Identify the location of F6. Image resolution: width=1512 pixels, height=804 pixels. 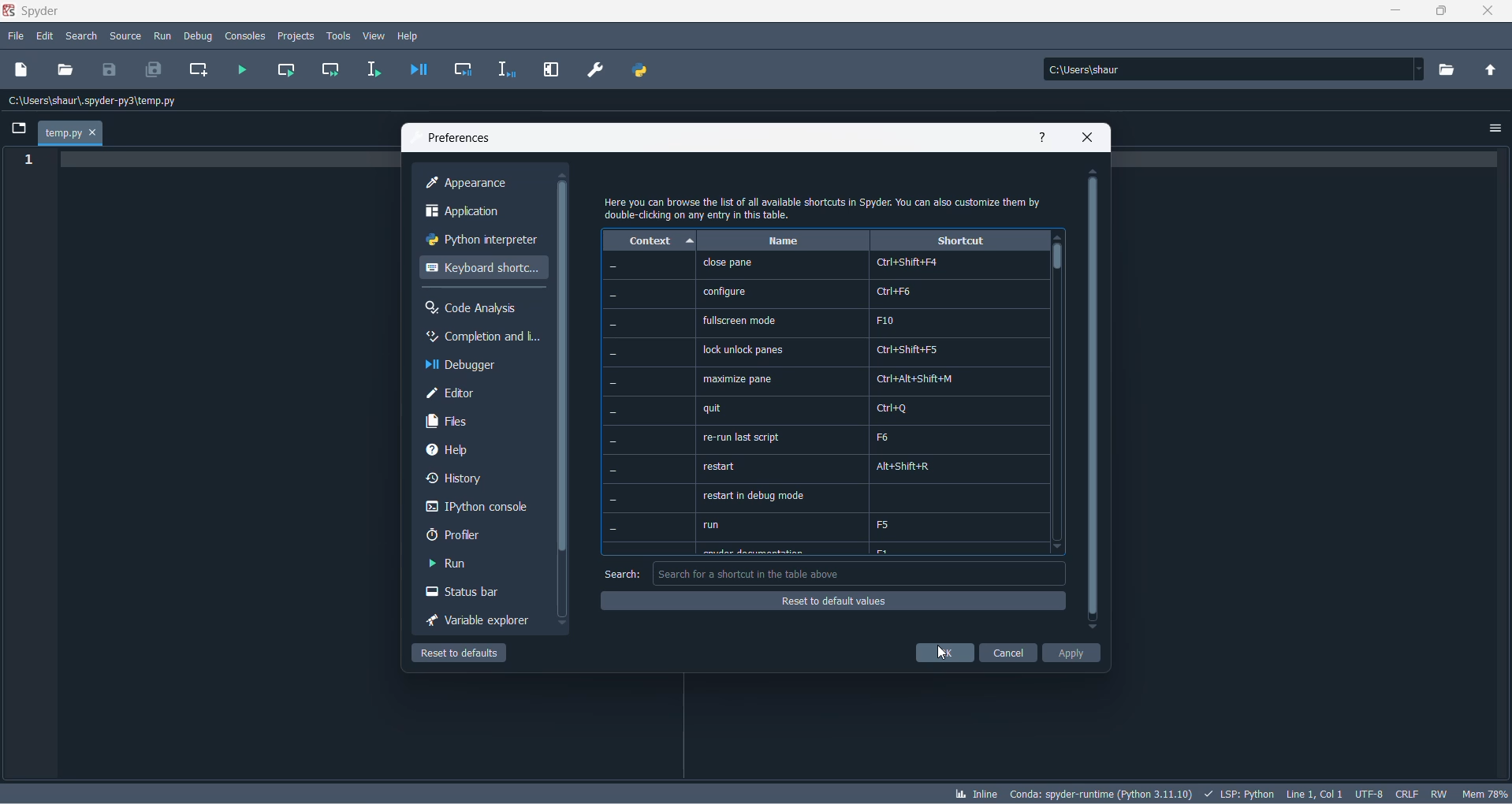
(884, 437).